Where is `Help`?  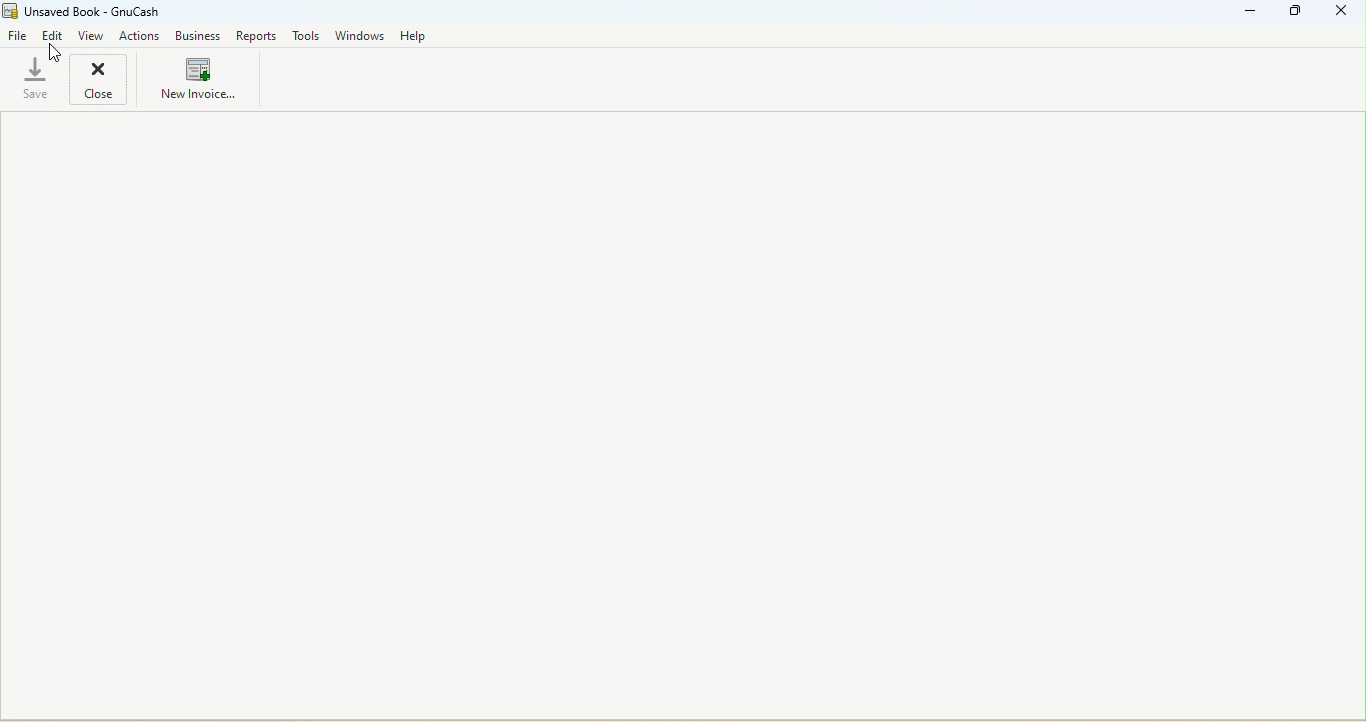 Help is located at coordinates (414, 35).